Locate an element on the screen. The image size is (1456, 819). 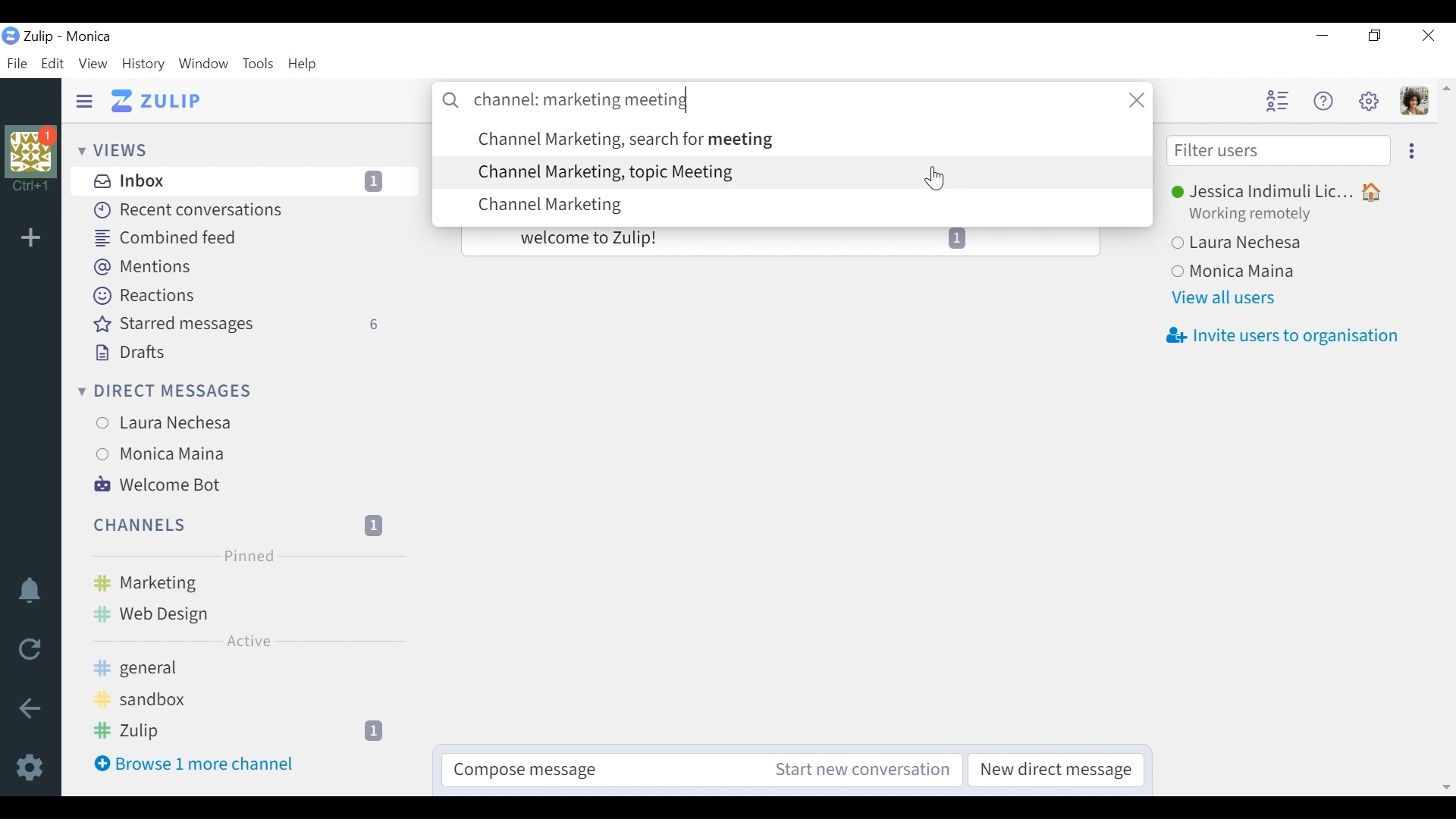
Welcome Bot is located at coordinates (160, 485).